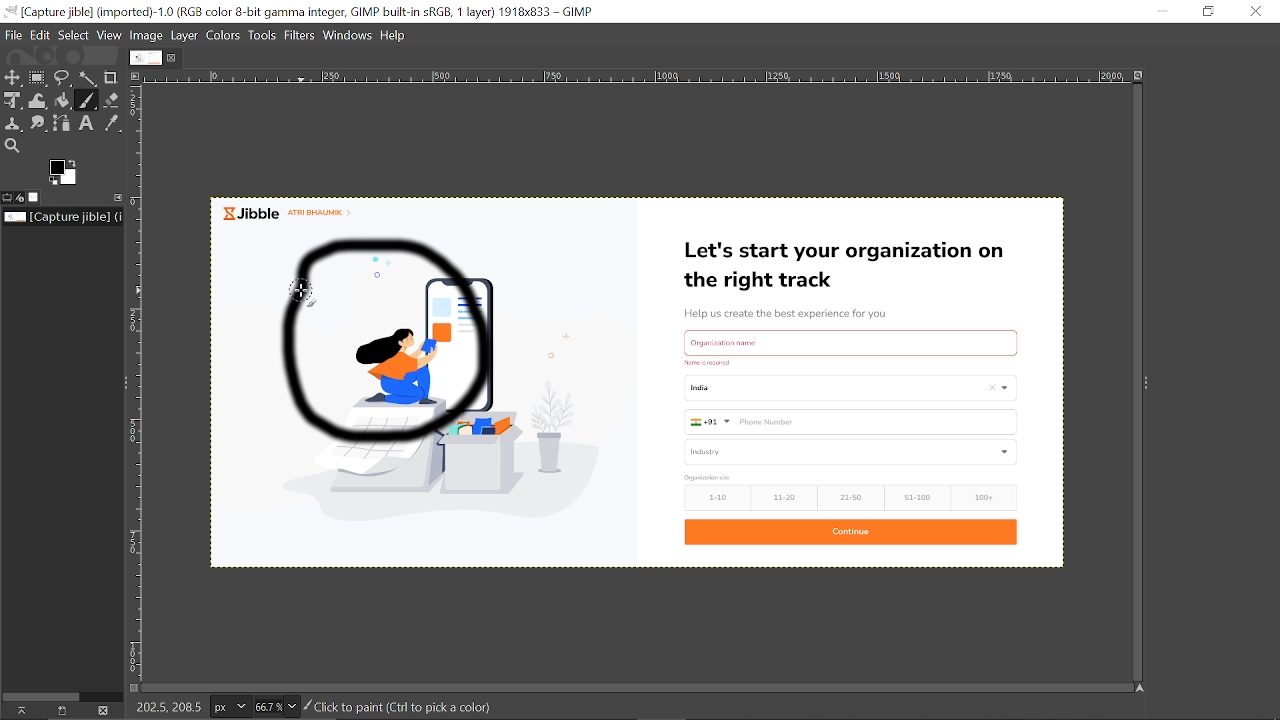 The height and width of the screenshot is (720, 1280). Describe the element at coordinates (147, 37) in the screenshot. I see `Image` at that location.